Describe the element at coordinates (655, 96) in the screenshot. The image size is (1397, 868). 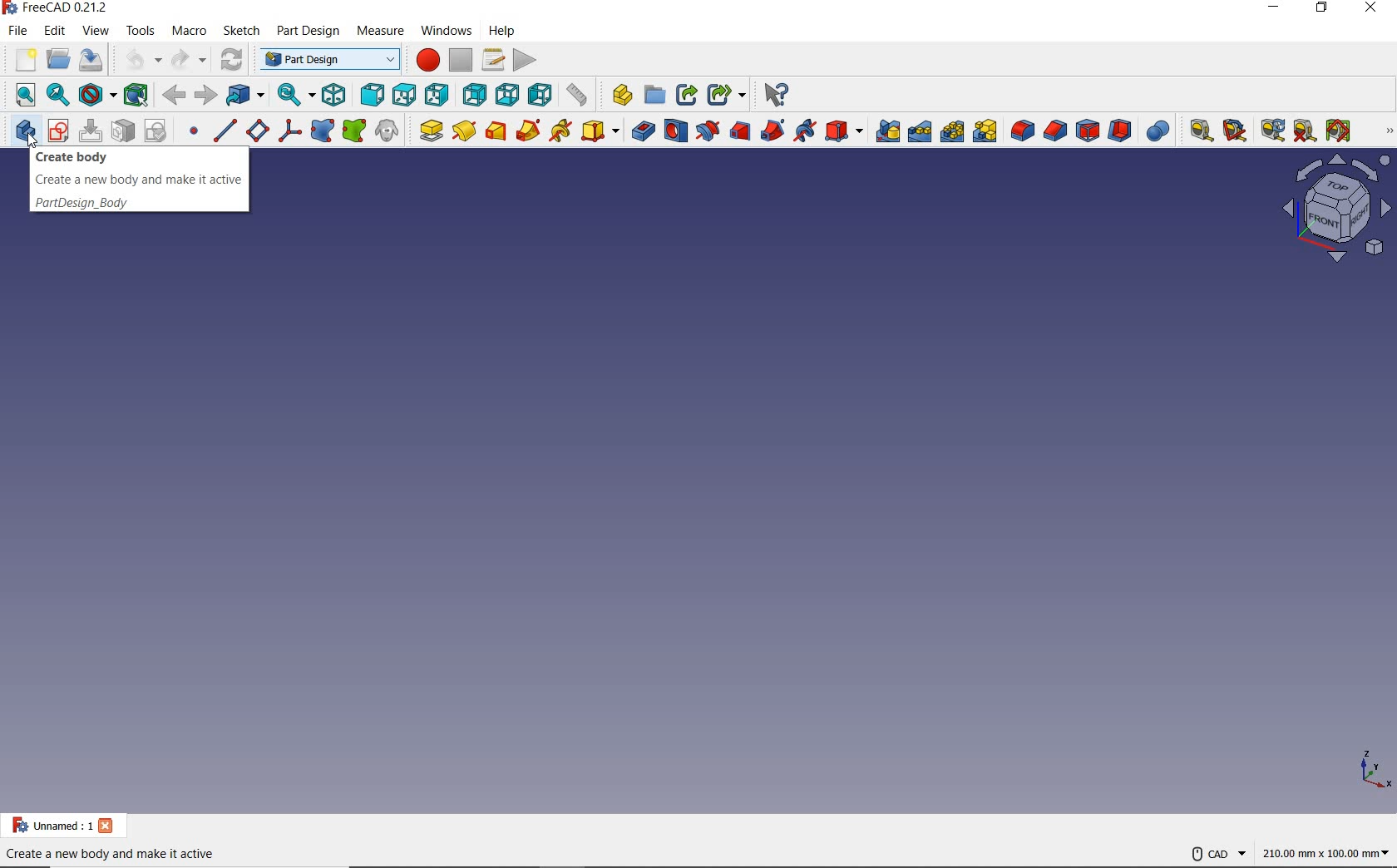
I see `Open` at that location.